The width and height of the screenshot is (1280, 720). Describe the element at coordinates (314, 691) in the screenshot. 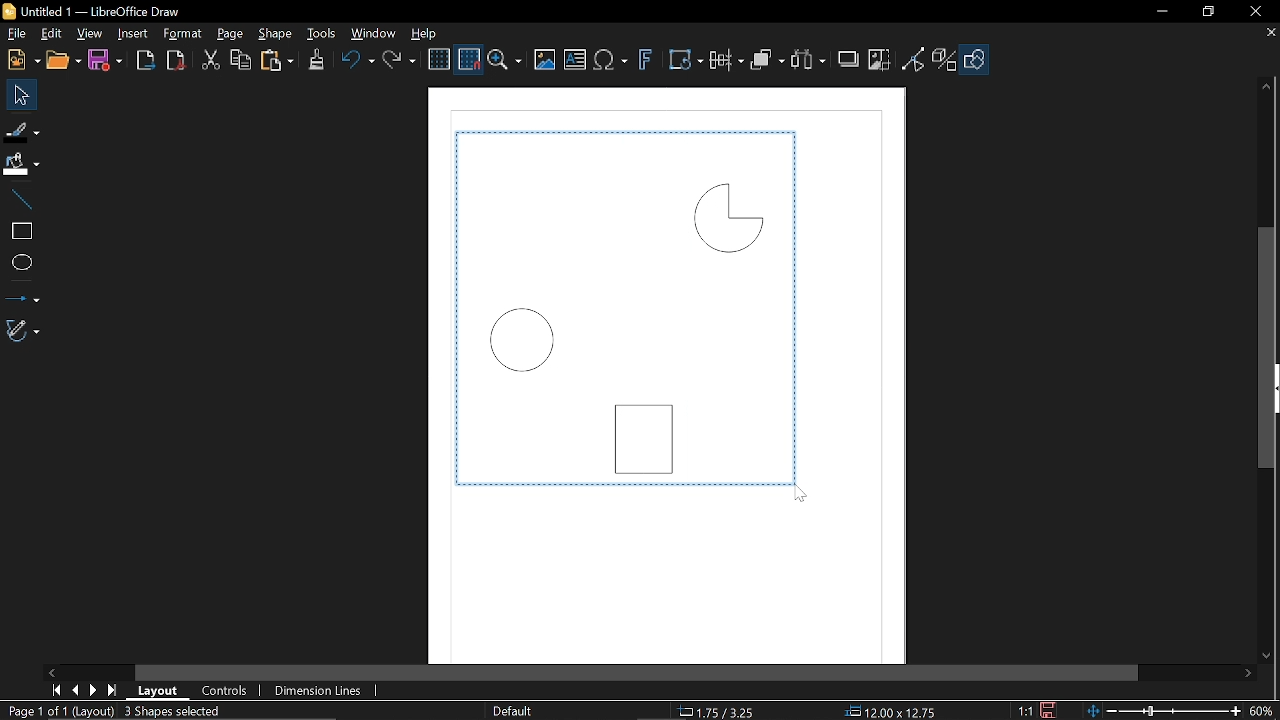

I see `Dimension lines` at that location.